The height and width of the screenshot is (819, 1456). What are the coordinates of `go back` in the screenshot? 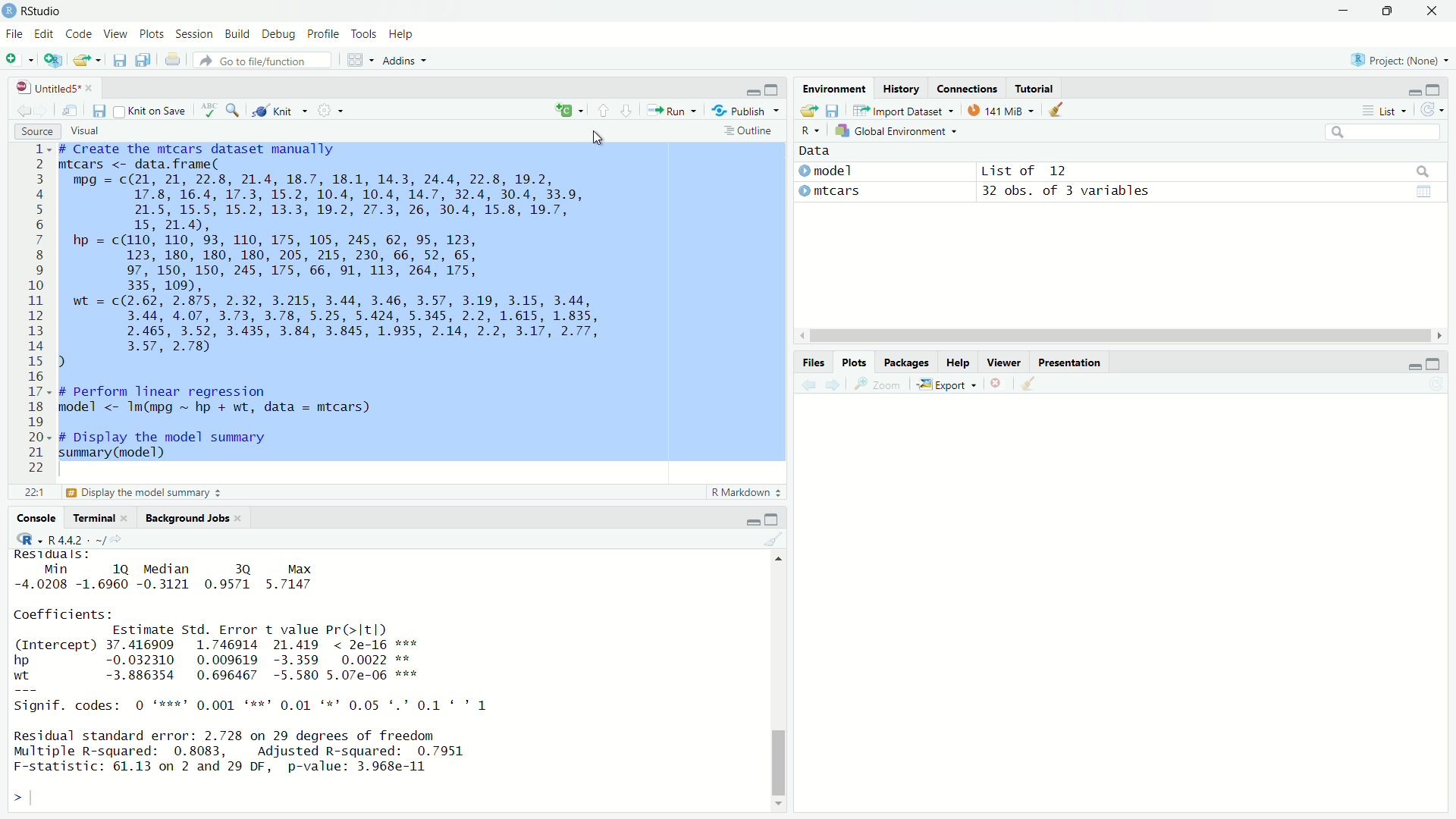 It's located at (22, 114).